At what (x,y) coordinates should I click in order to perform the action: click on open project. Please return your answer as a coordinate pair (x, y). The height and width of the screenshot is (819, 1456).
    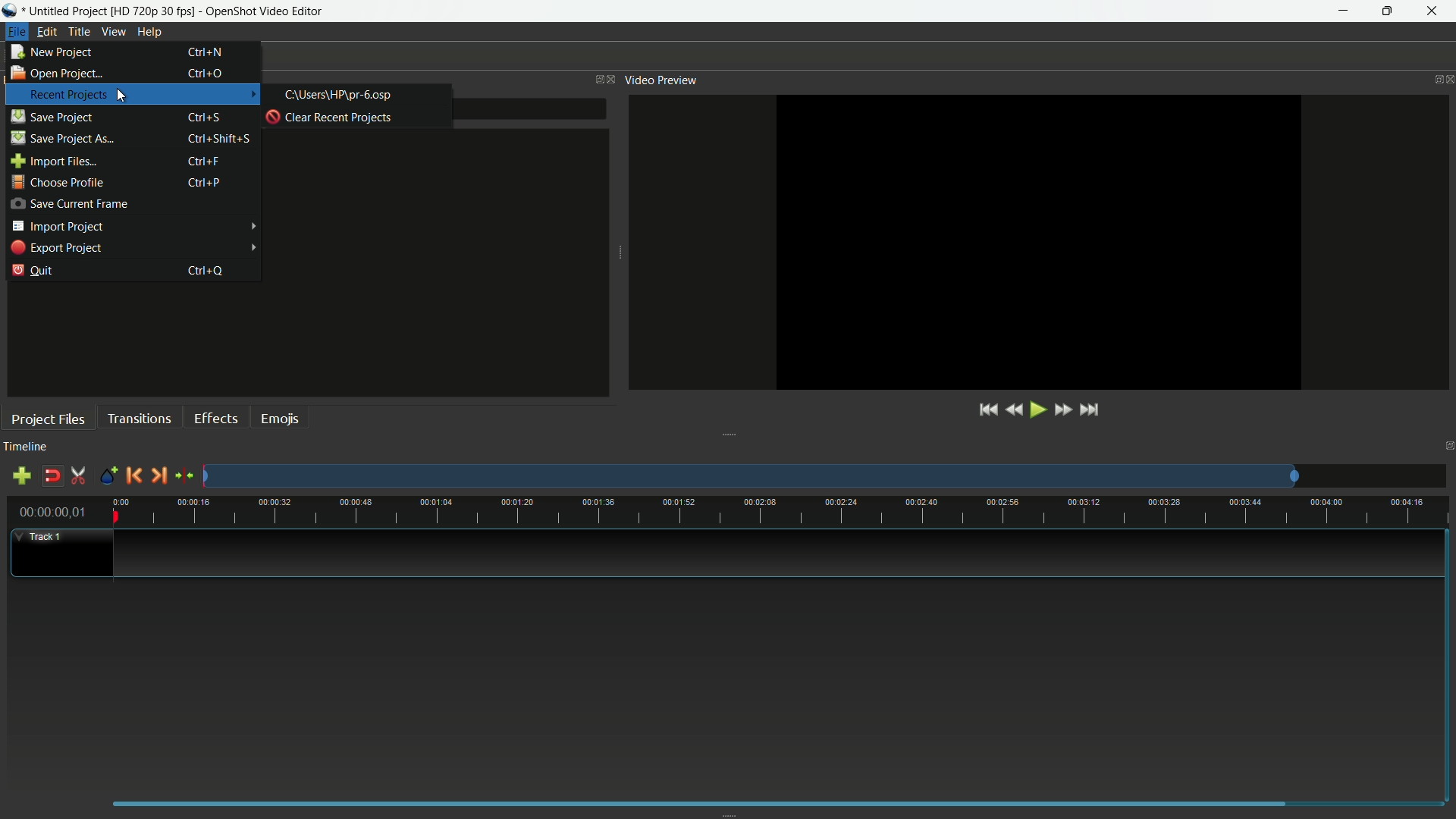
    Looking at the image, I should click on (55, 72).